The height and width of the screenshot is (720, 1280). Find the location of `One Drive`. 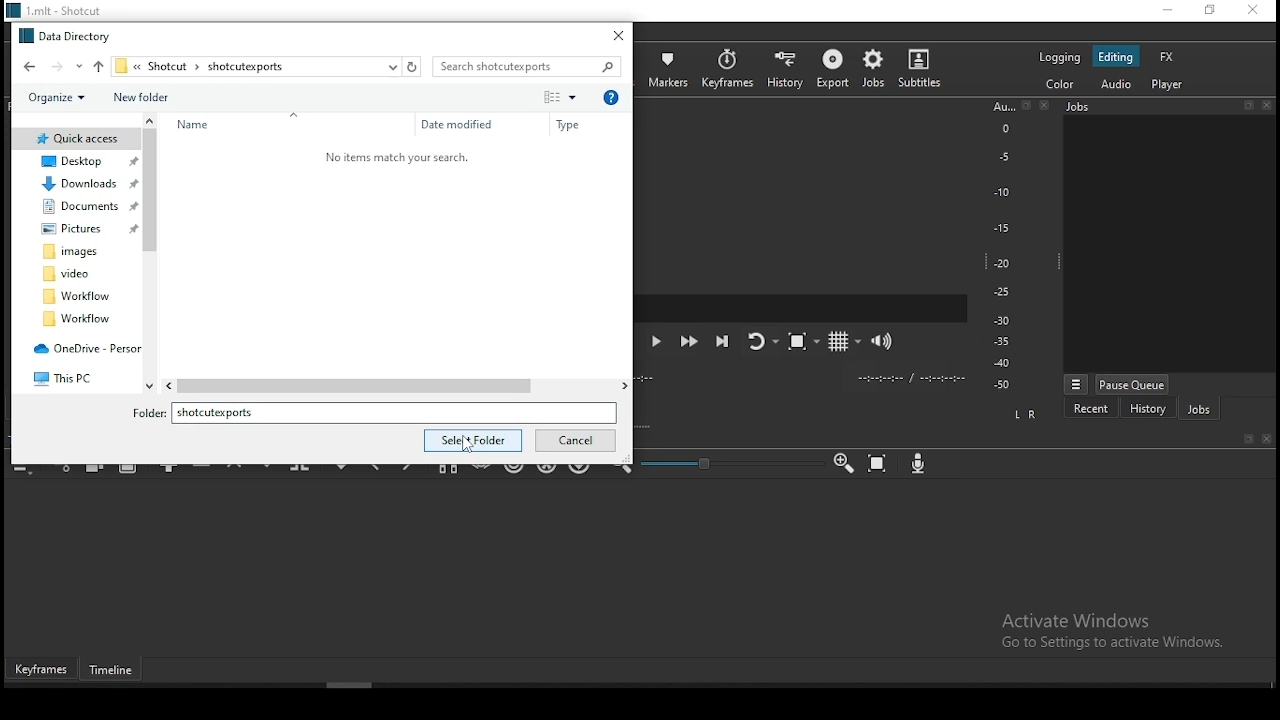

One Drive is located at coordinates (83, 350).